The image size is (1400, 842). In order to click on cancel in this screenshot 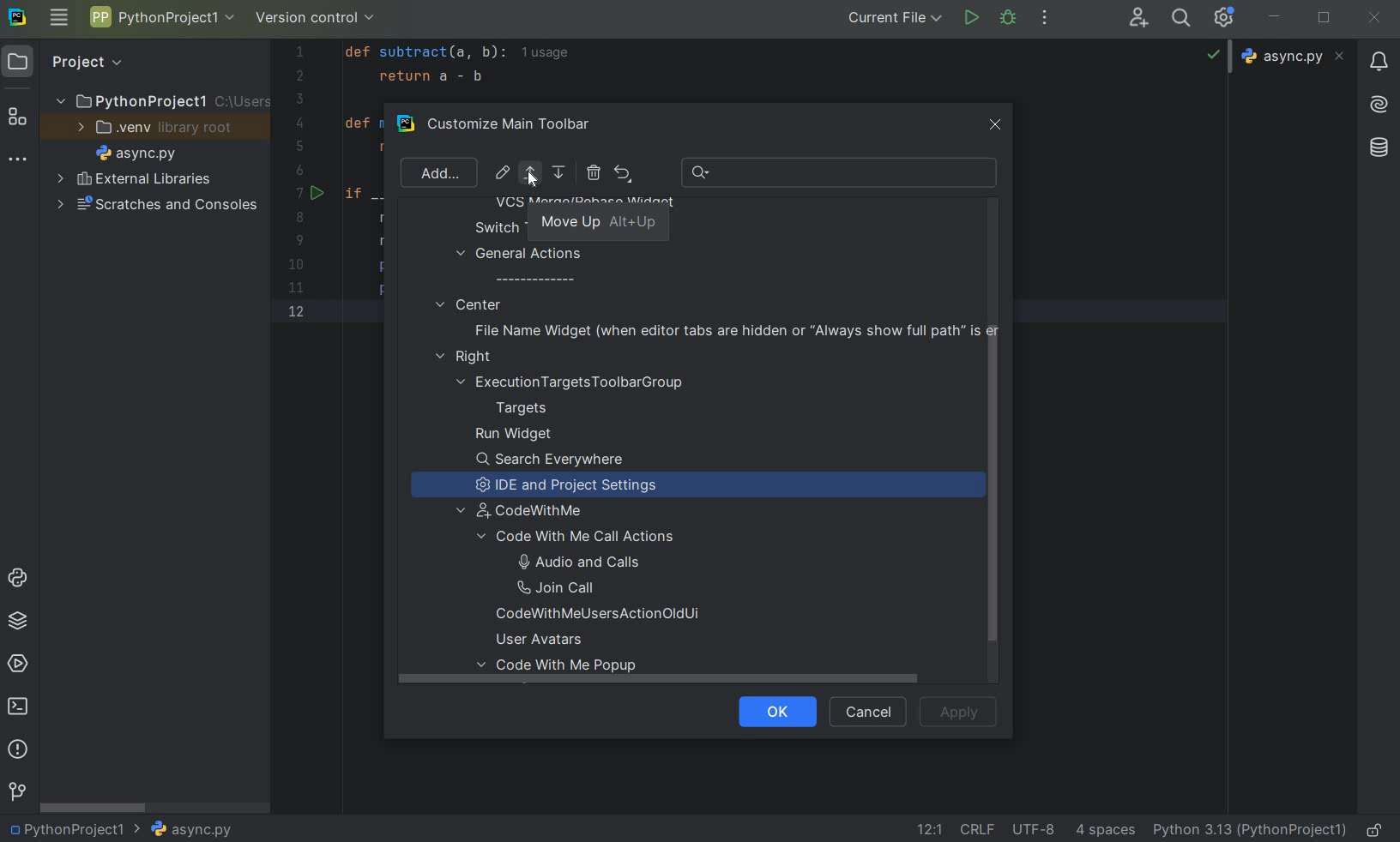, I will do `click(865, 713)`.